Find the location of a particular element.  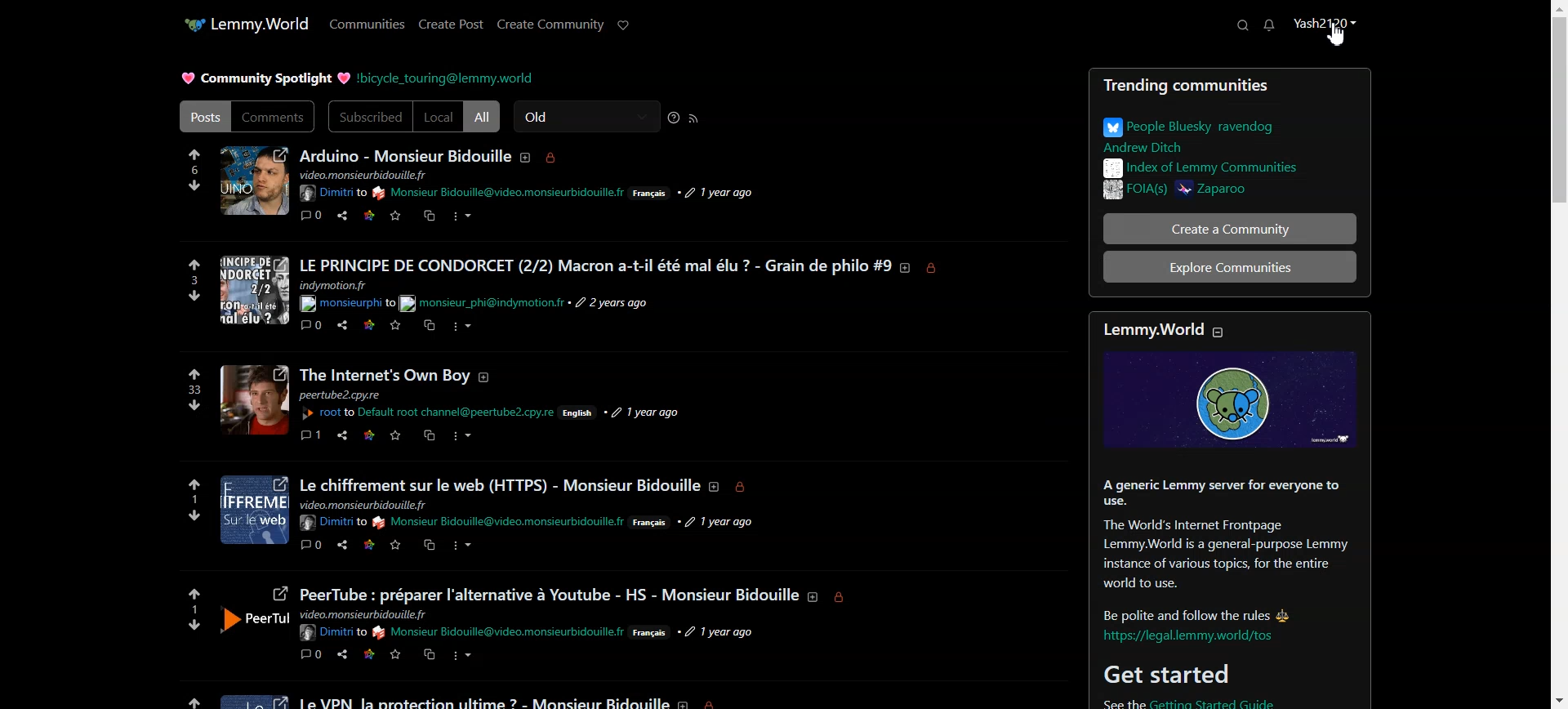

Application icon is located at coordinates (189, 25).